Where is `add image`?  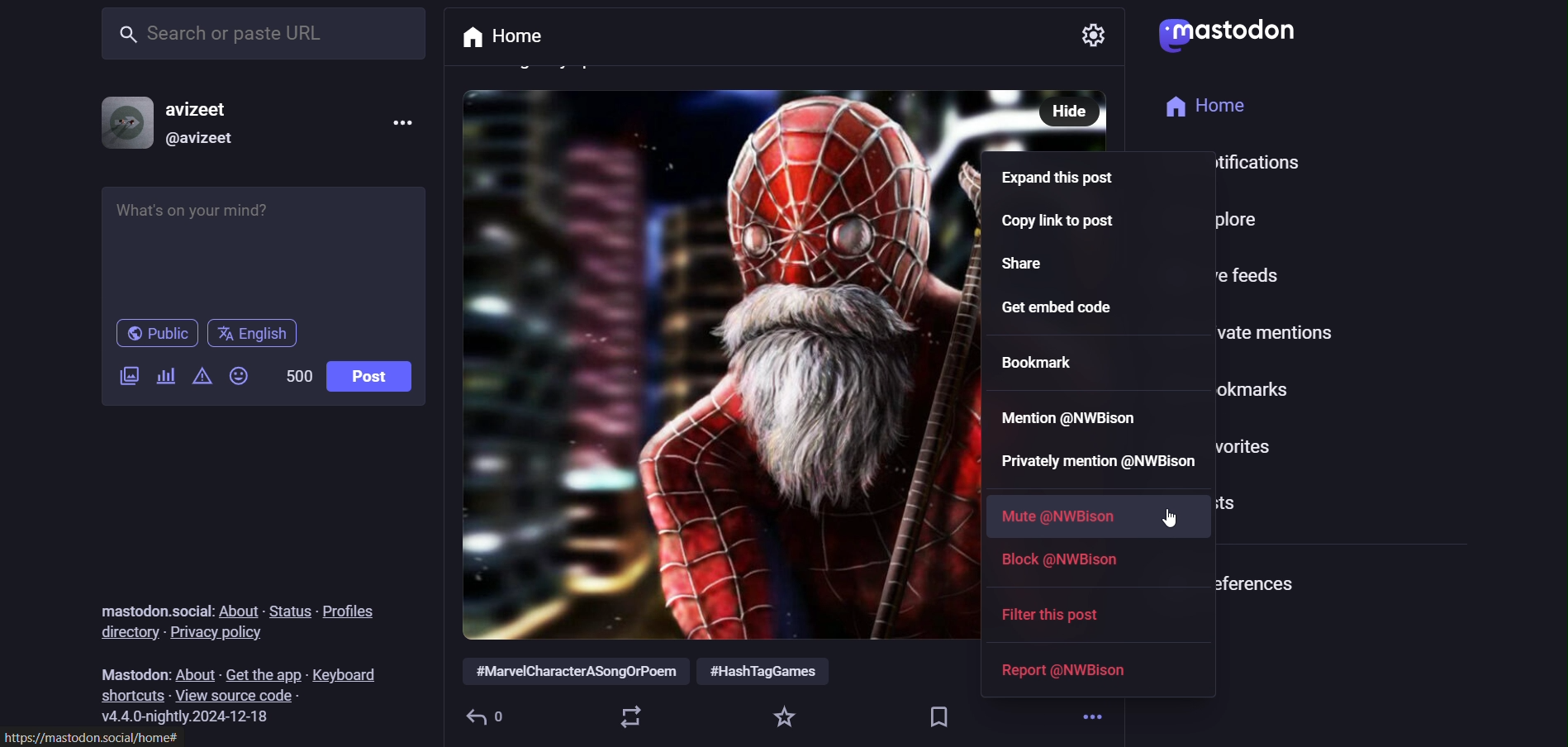 add image is located at coordinates (126, 378).